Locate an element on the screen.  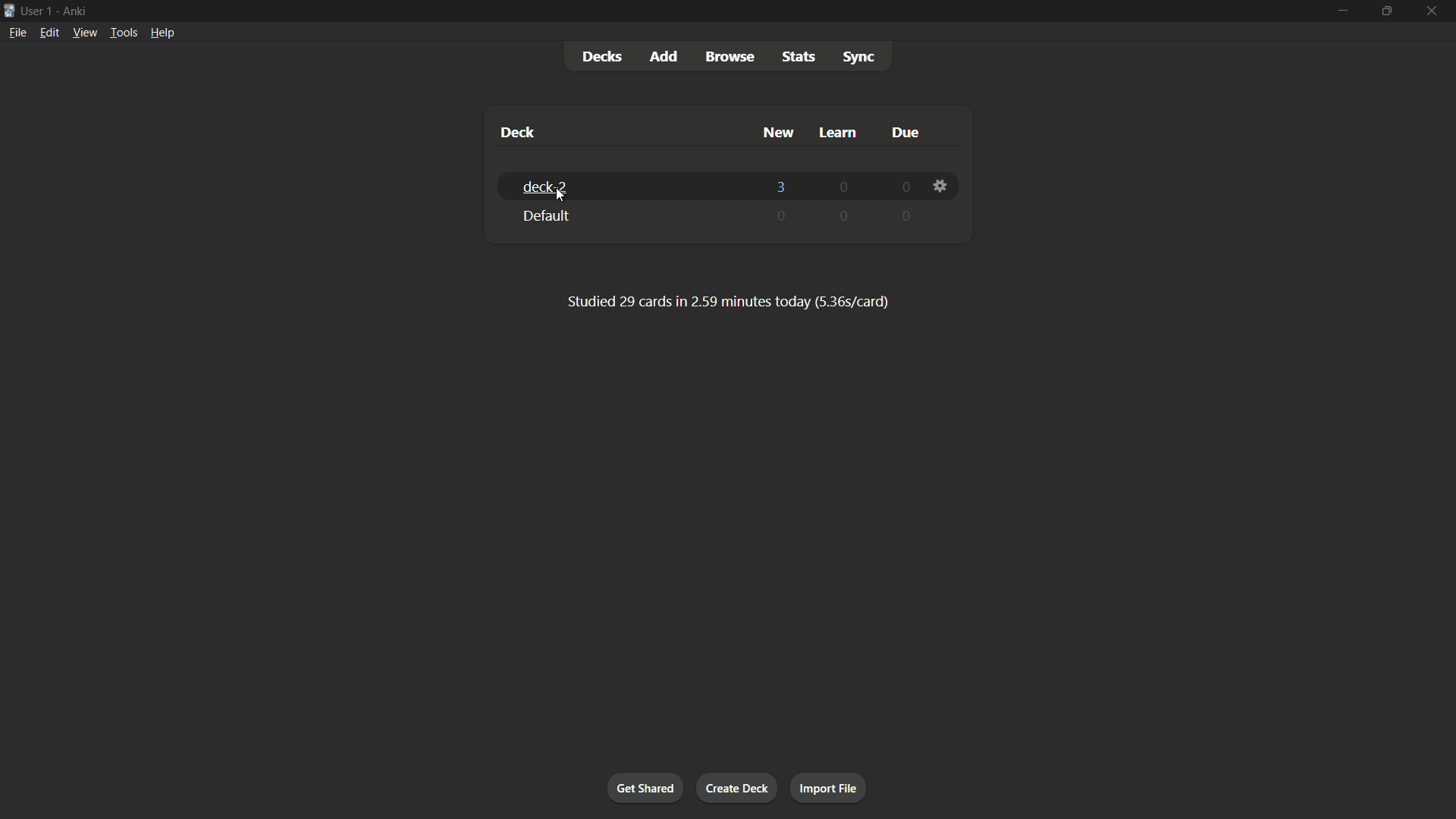
view menu is located at coordinates (85, 33).